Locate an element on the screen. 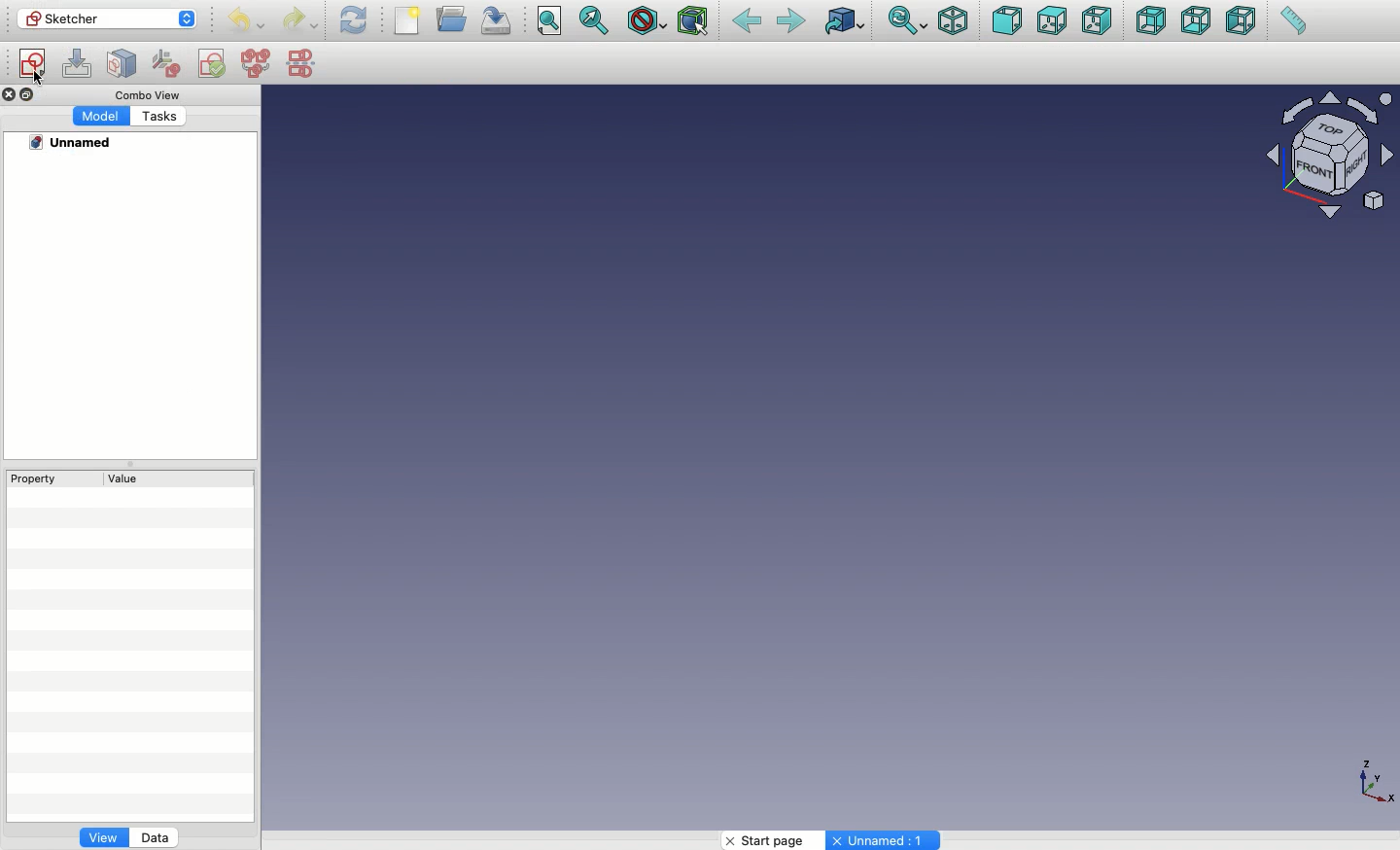 This screenshot has width=1400, height=850. Fit selection is located at coordinates (596, 19).